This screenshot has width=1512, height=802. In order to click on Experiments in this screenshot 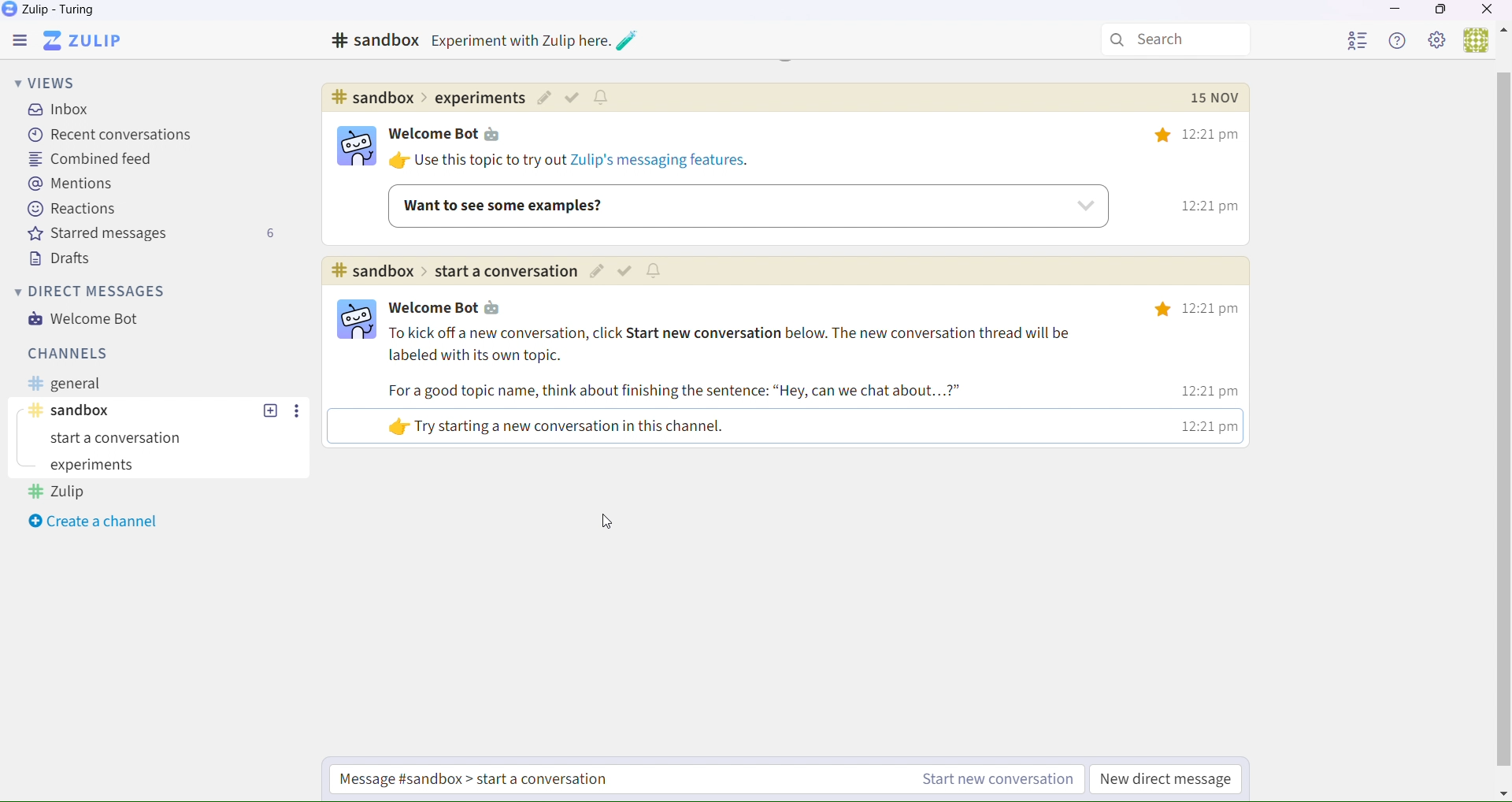, I will do `click(94, 466)`.